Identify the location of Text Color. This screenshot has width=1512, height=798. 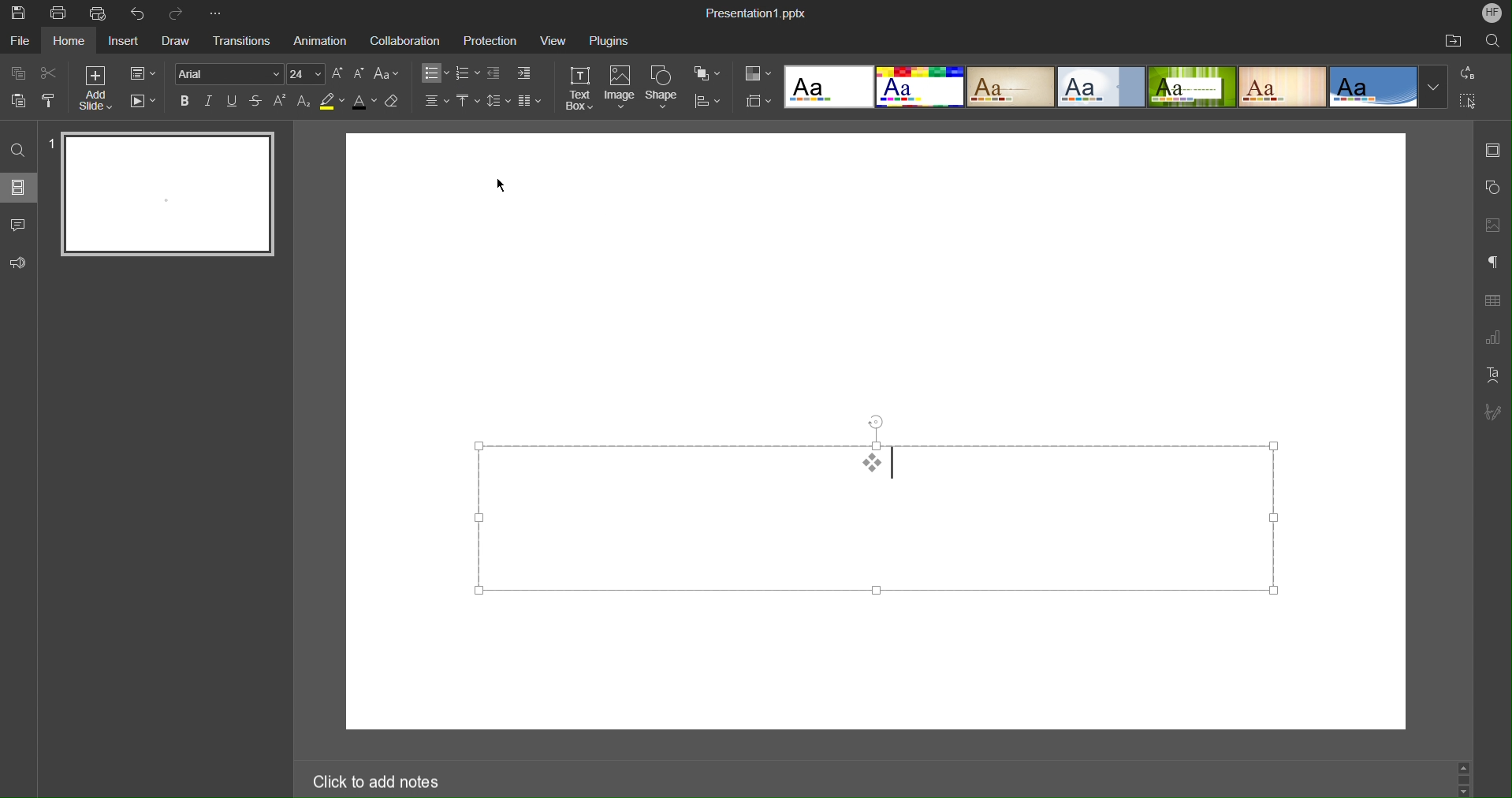
(364, 102).